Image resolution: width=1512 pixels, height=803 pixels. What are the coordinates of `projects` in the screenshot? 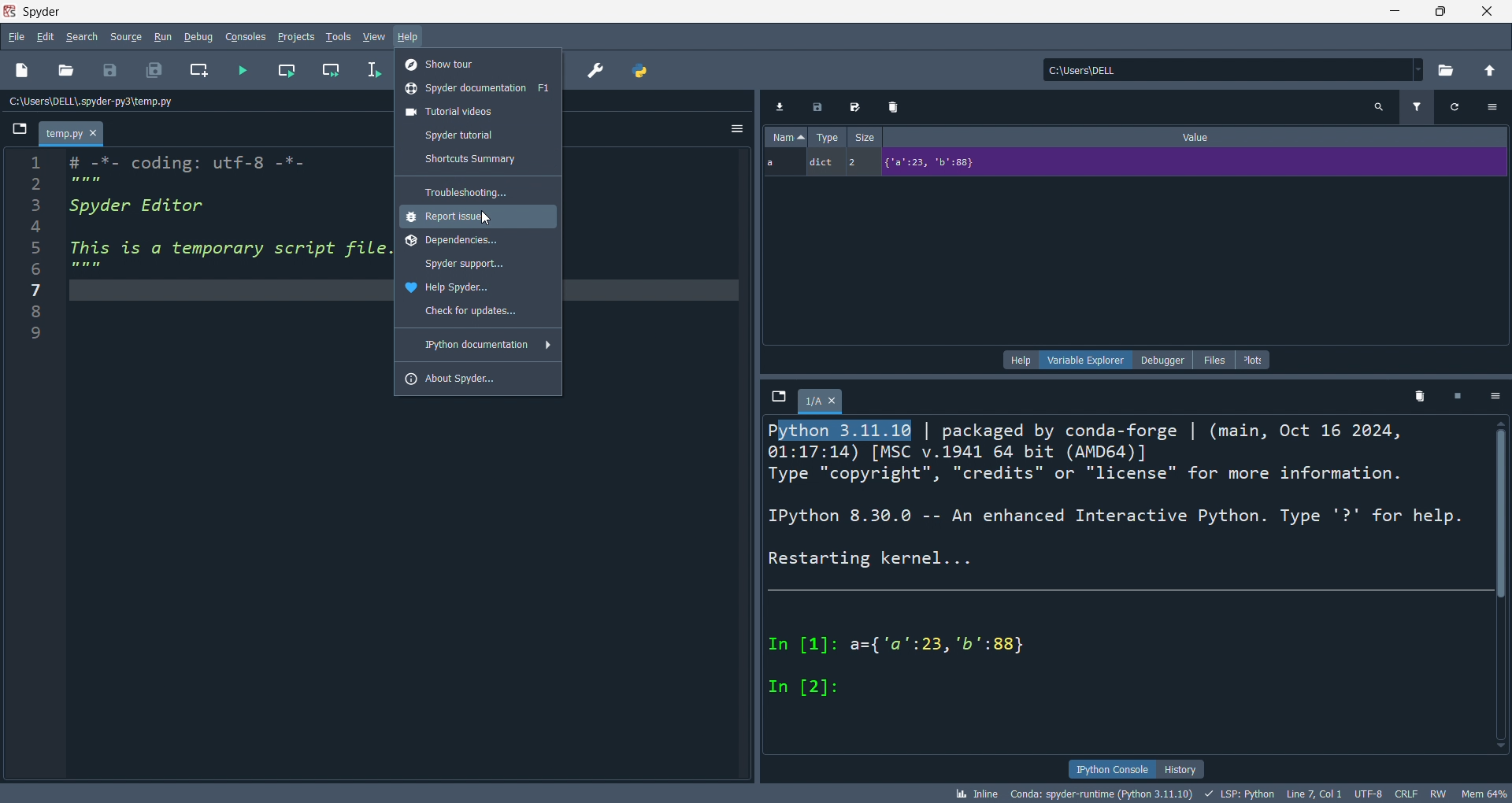 It's located at (295, 37).